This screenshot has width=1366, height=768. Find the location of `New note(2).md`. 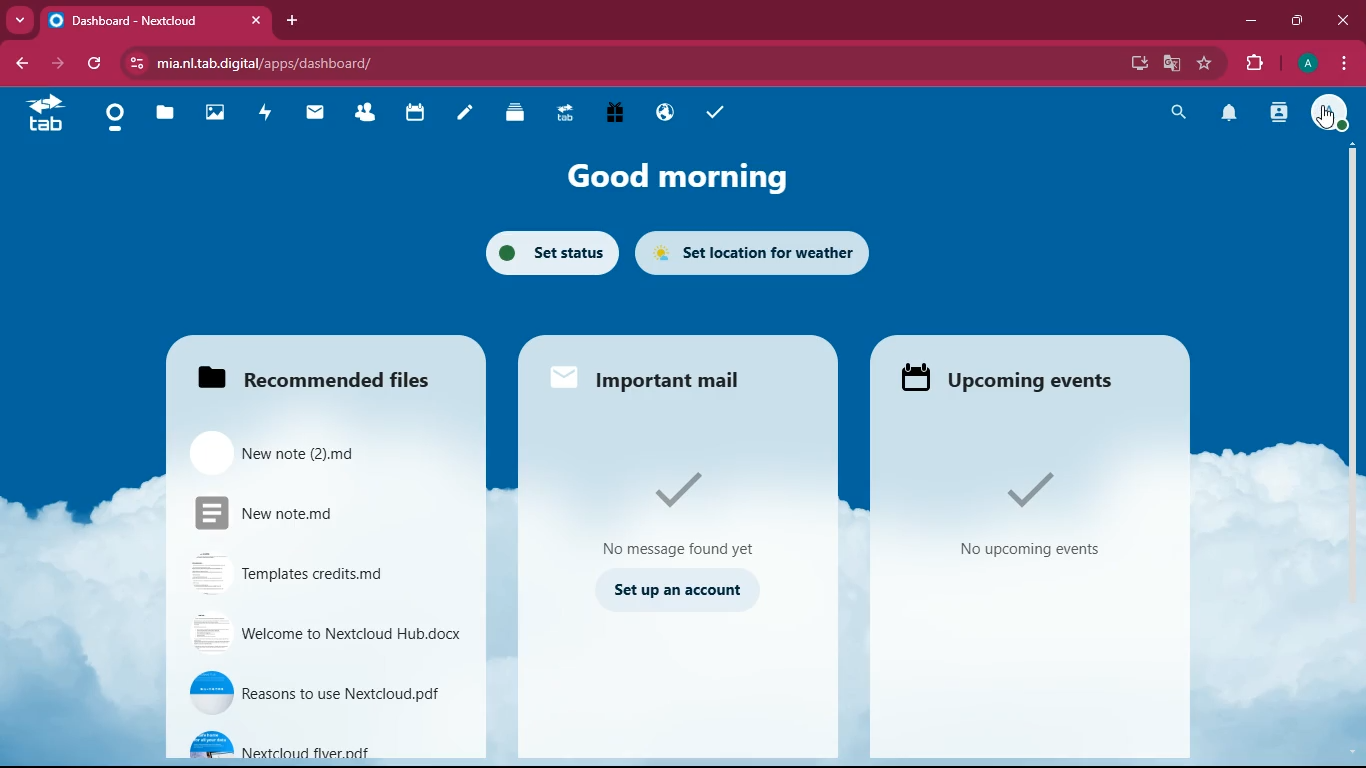

New note(2).md is located at coordinates (286, 450).